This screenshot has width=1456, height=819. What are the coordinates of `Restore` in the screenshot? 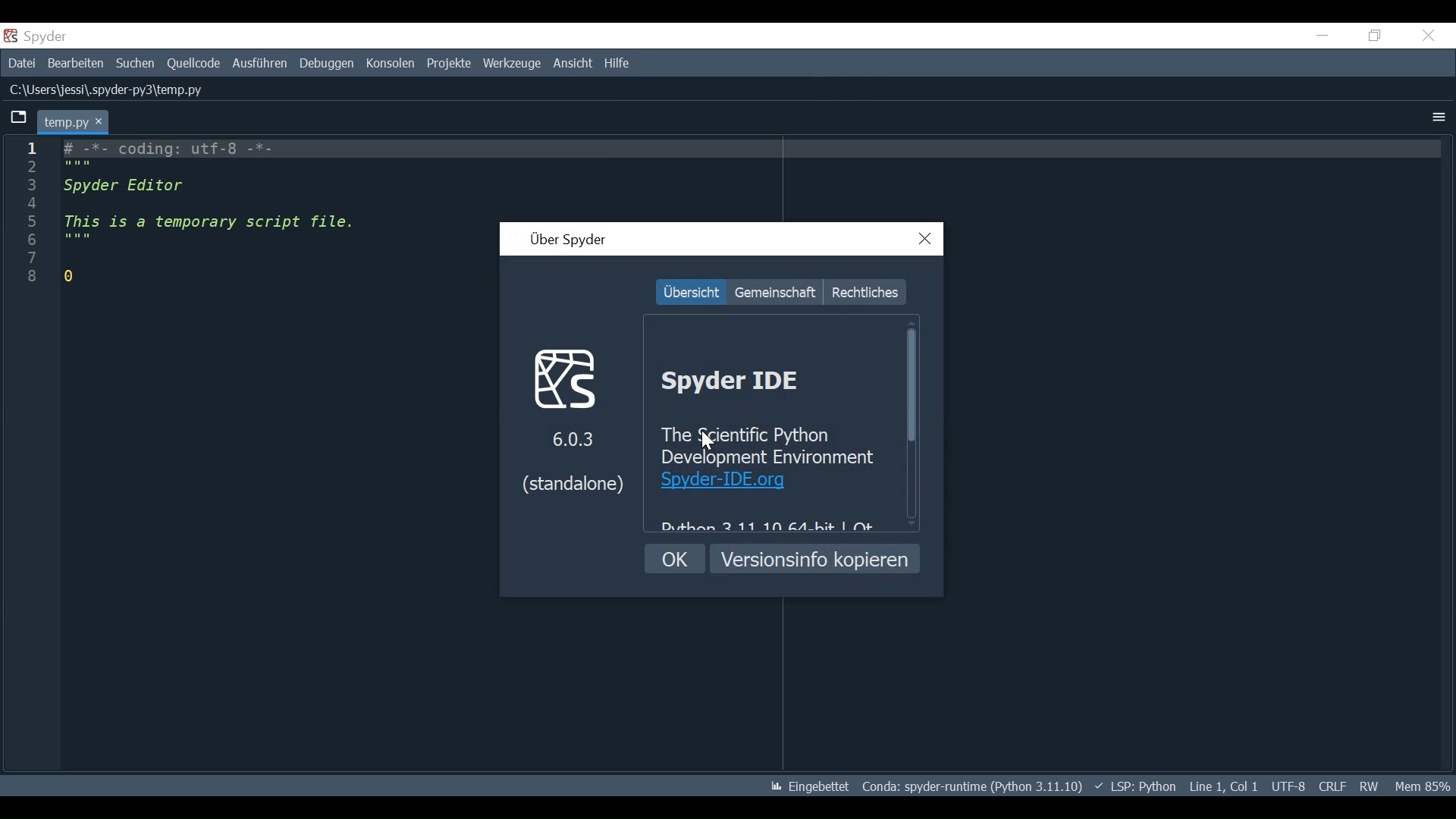 It's located at (1376, 36).